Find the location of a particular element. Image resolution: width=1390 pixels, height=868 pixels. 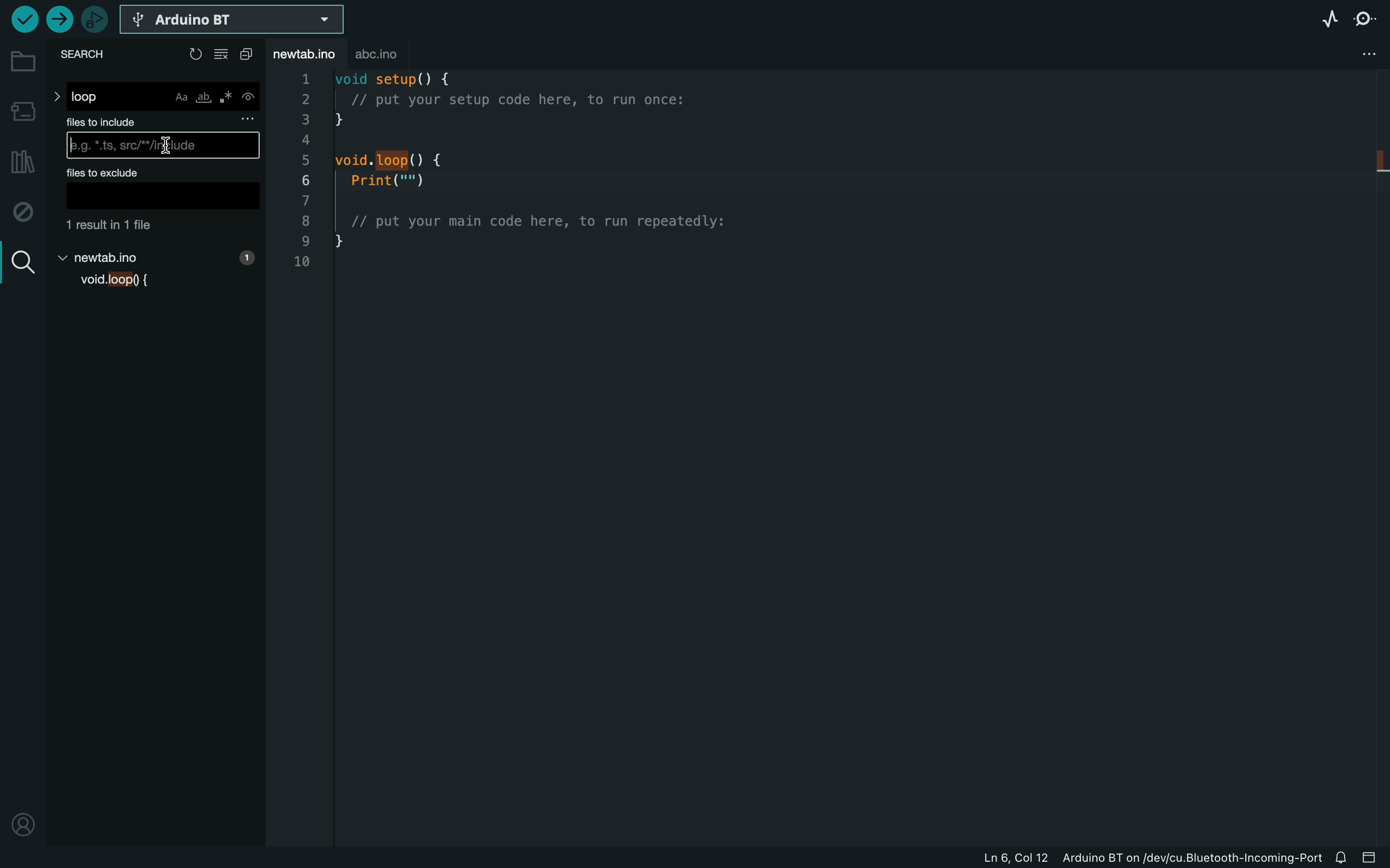

clear is located at coordinates (225, 55).